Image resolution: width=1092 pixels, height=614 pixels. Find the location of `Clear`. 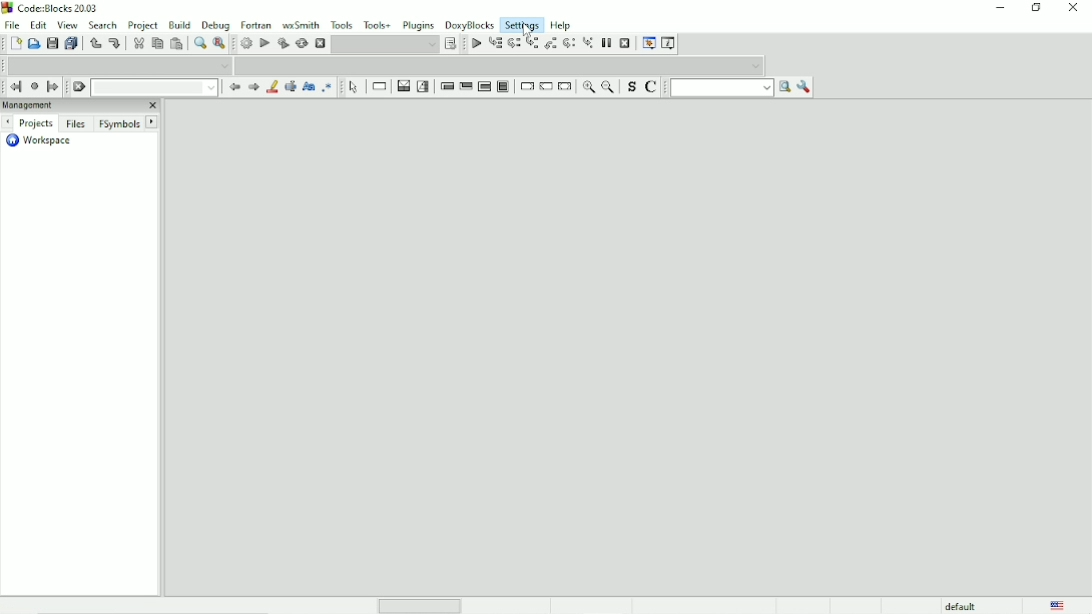

Clear is located at coordinates (79, 87).